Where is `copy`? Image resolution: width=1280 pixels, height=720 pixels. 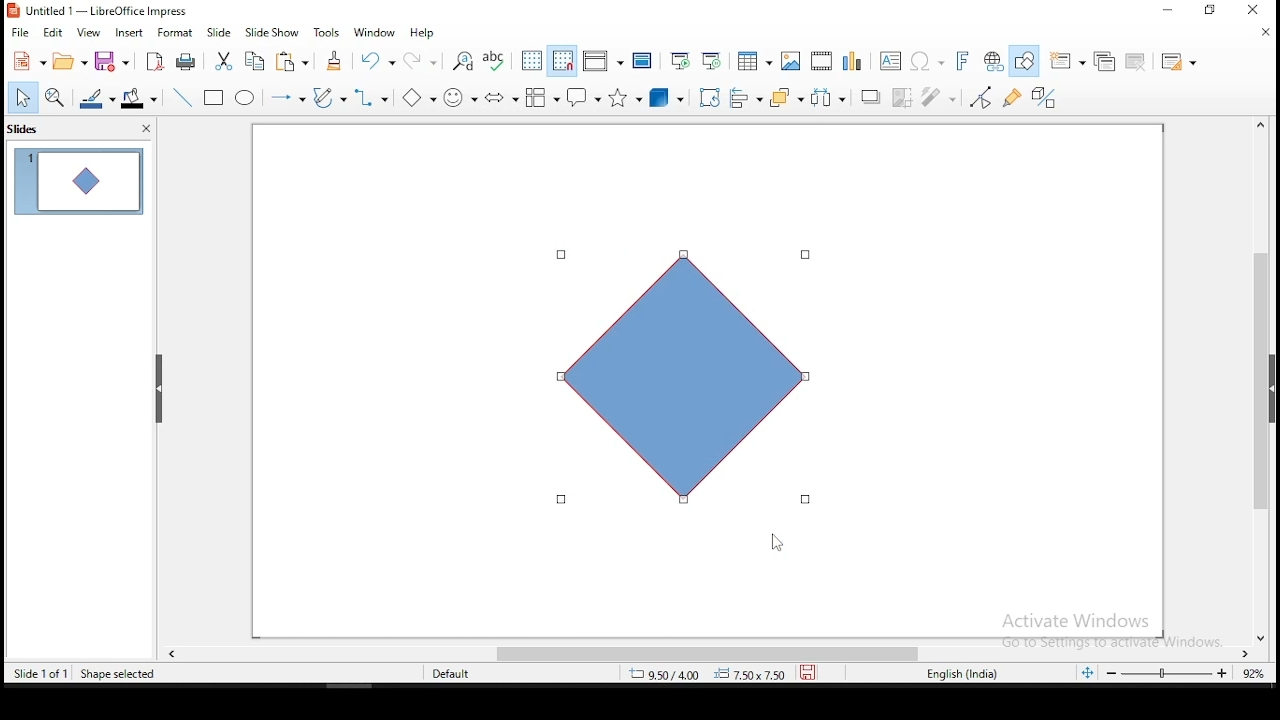
copy is located at coordinates (257, 61).